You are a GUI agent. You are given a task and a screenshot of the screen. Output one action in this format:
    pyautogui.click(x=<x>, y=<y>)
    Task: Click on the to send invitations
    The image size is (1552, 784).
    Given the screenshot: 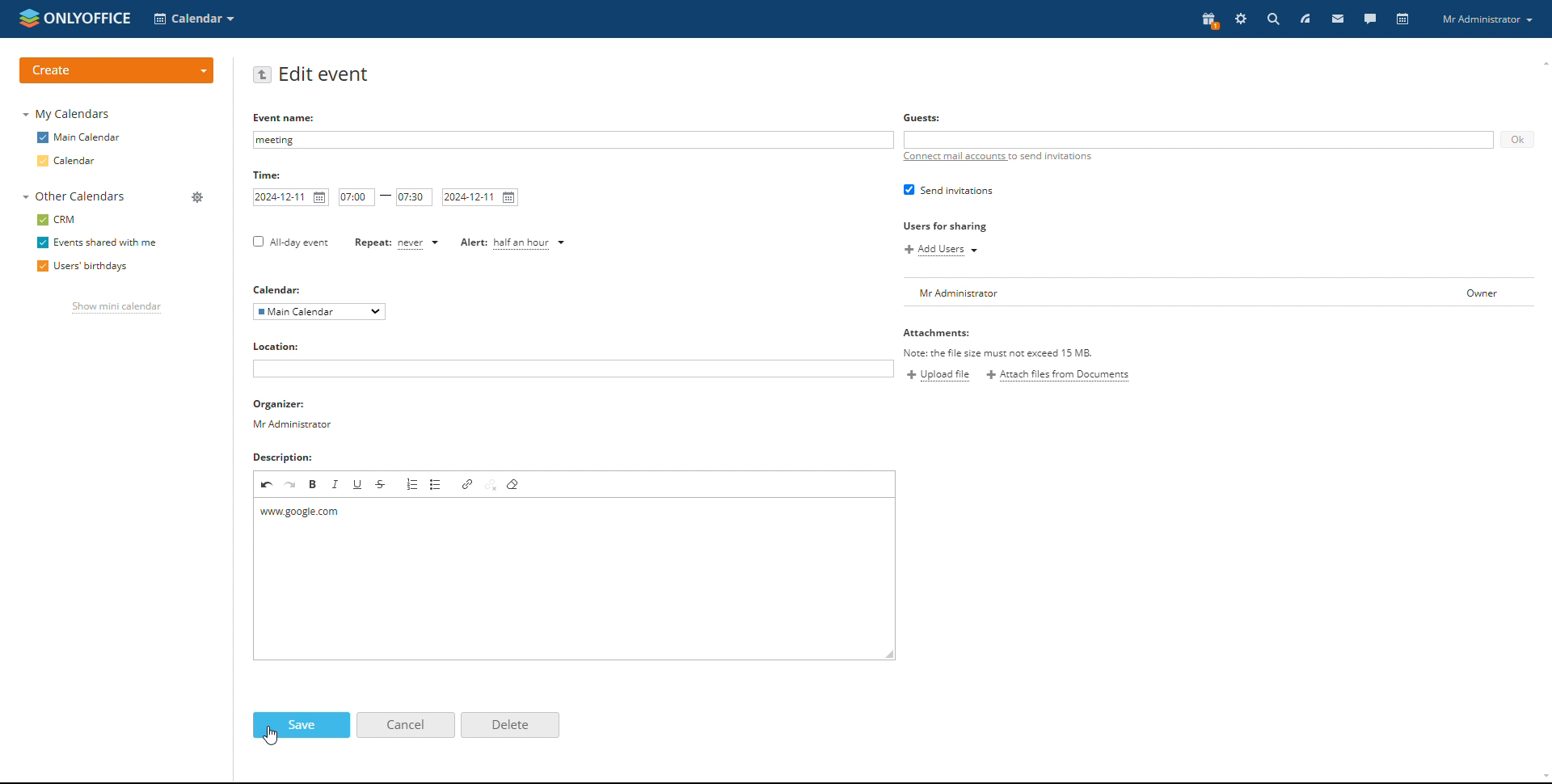 What is the action you would take?
    pyautogui.click(x=1052, y=157)
    